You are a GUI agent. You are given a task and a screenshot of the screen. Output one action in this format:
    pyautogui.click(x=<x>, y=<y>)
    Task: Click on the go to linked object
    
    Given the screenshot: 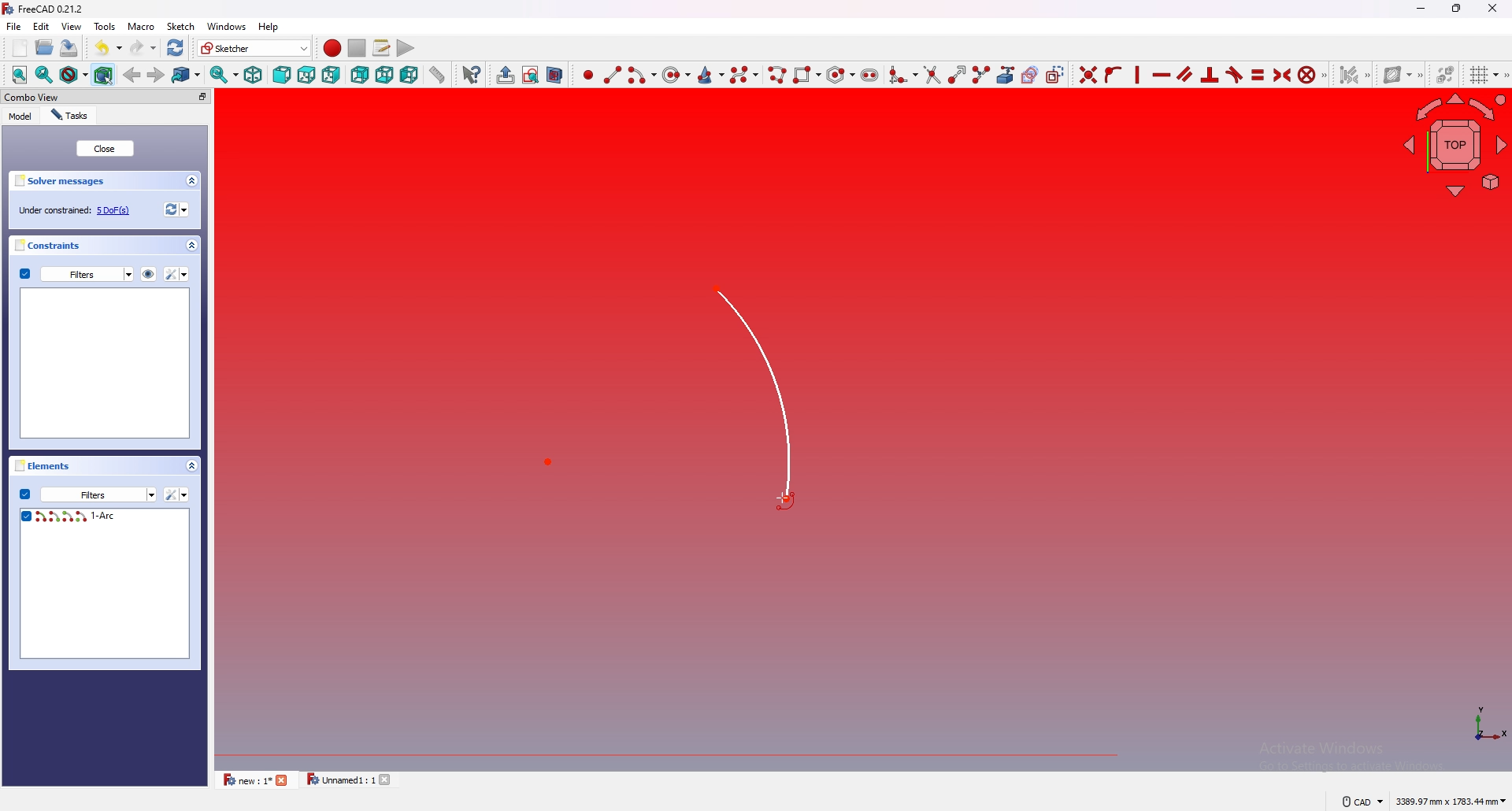 What is the action you would take?
    pyautogui.click(x=187, y=74)
    